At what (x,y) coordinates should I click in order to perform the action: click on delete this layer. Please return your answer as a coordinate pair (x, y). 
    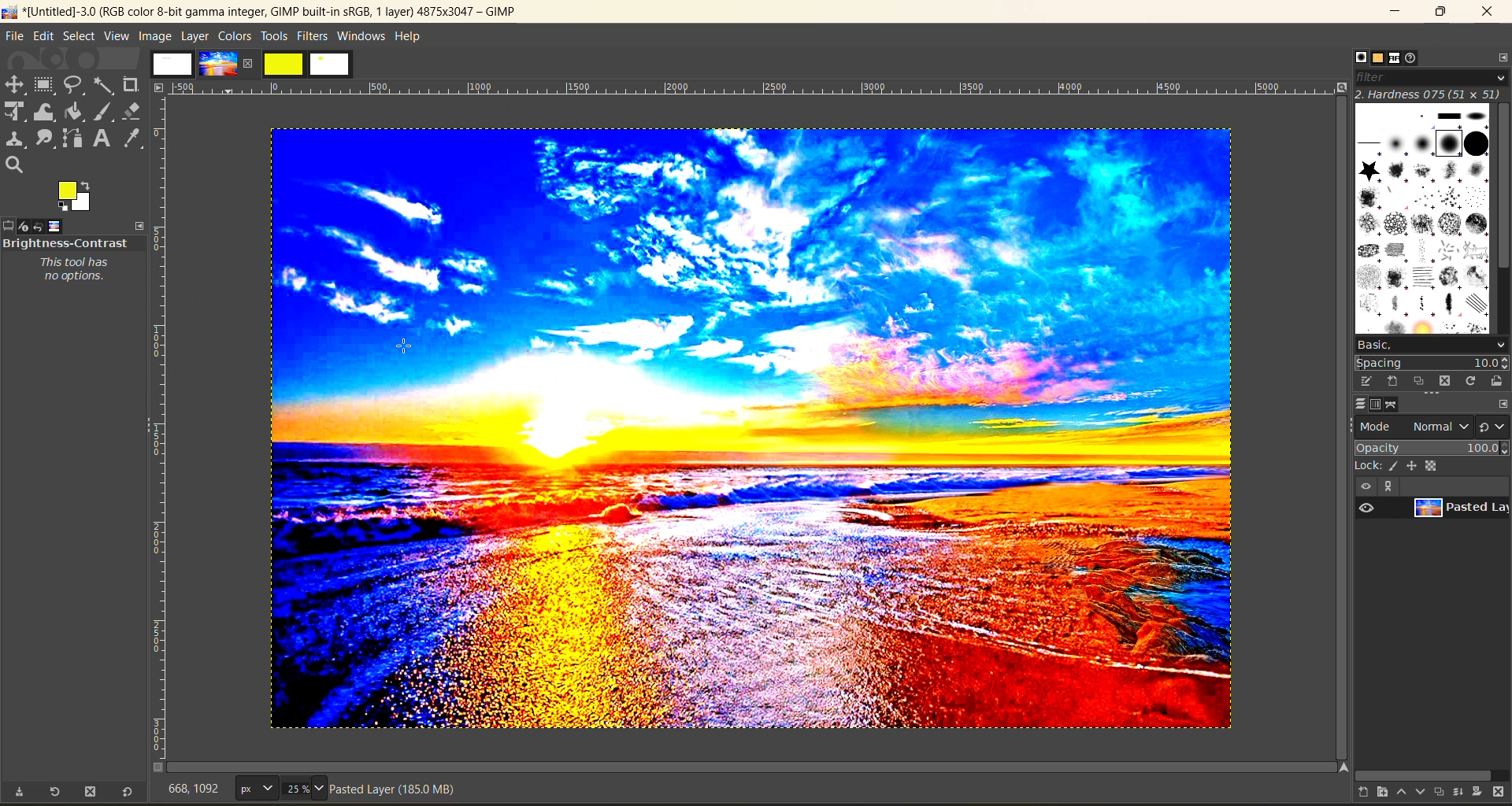
    Looking at the image, I should click on (1503, 793).